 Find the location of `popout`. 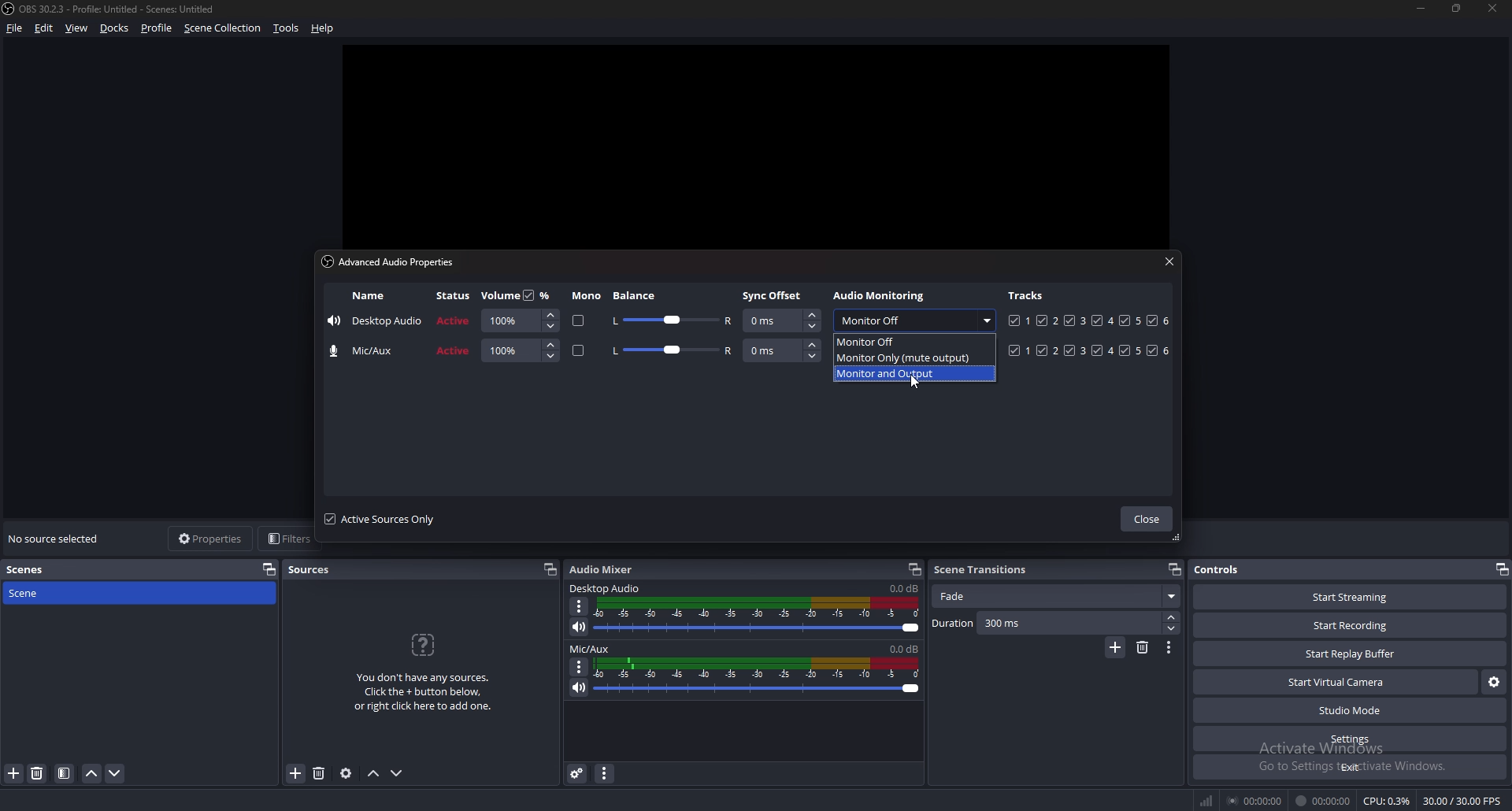

popout is located at coordinates (915, 569).